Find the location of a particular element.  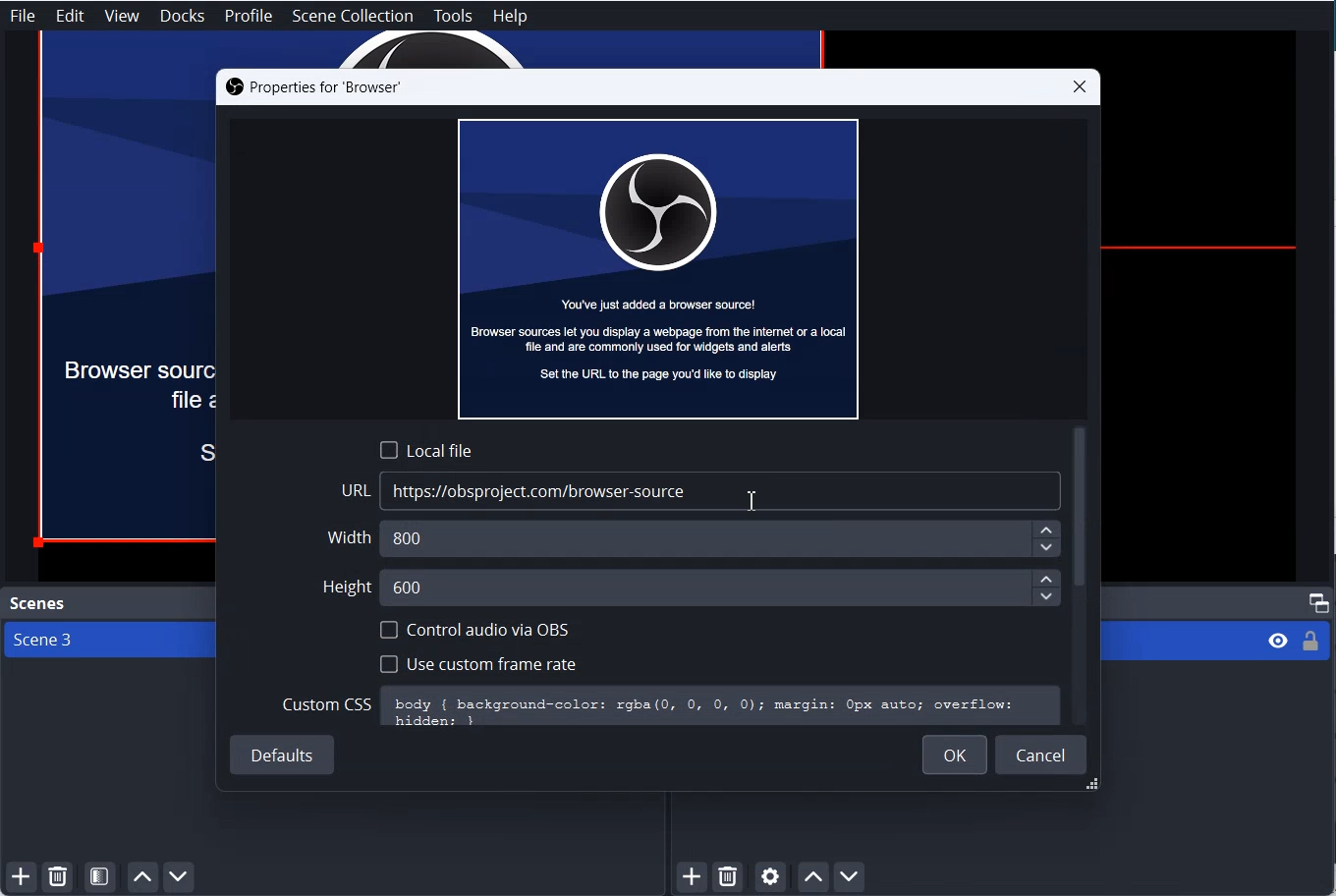

View is located at coordinates (122, 17).